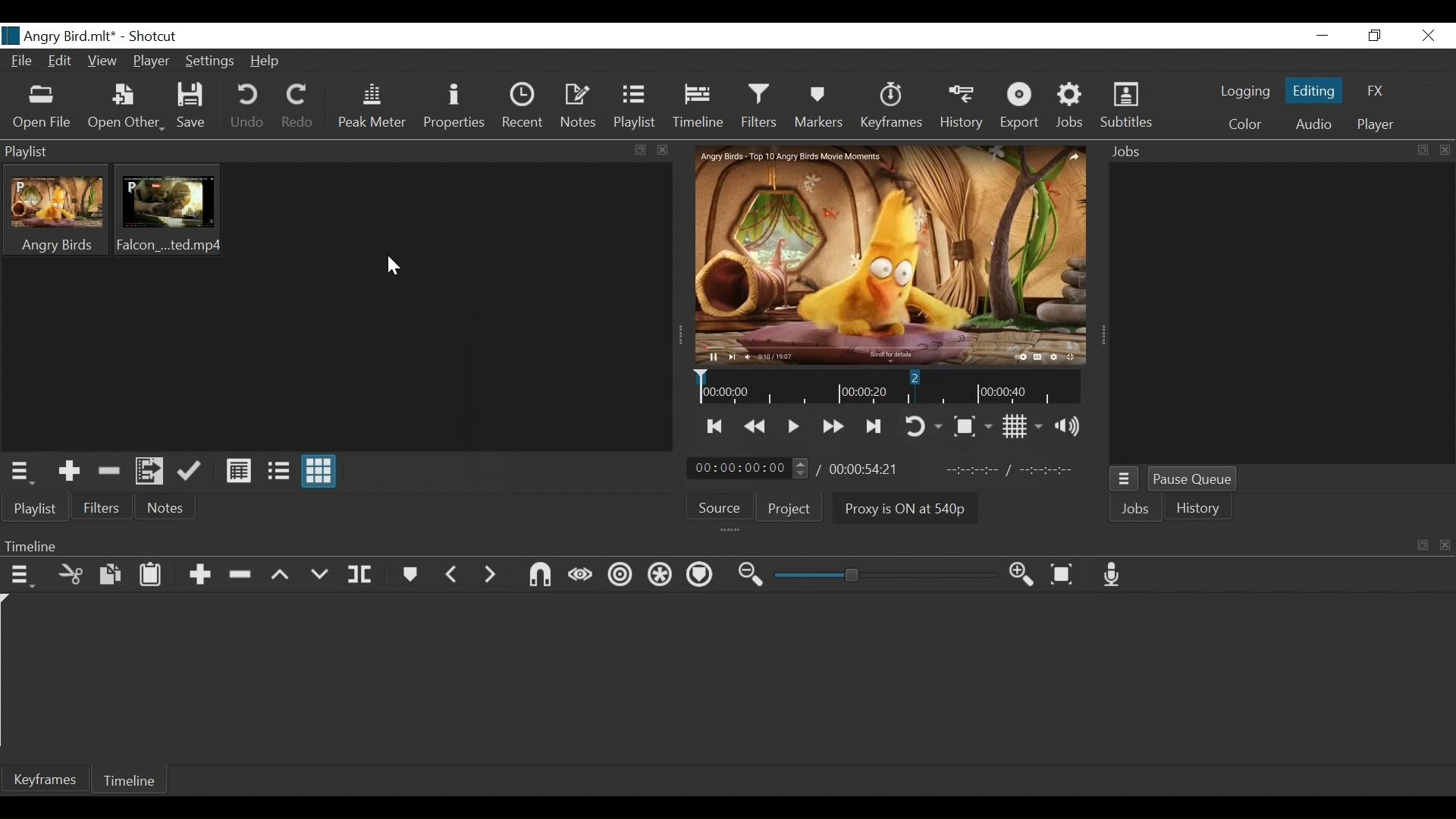 This screenshot has height=819, width=1456. I want to click on Play backward quickly, so click(756, 426).